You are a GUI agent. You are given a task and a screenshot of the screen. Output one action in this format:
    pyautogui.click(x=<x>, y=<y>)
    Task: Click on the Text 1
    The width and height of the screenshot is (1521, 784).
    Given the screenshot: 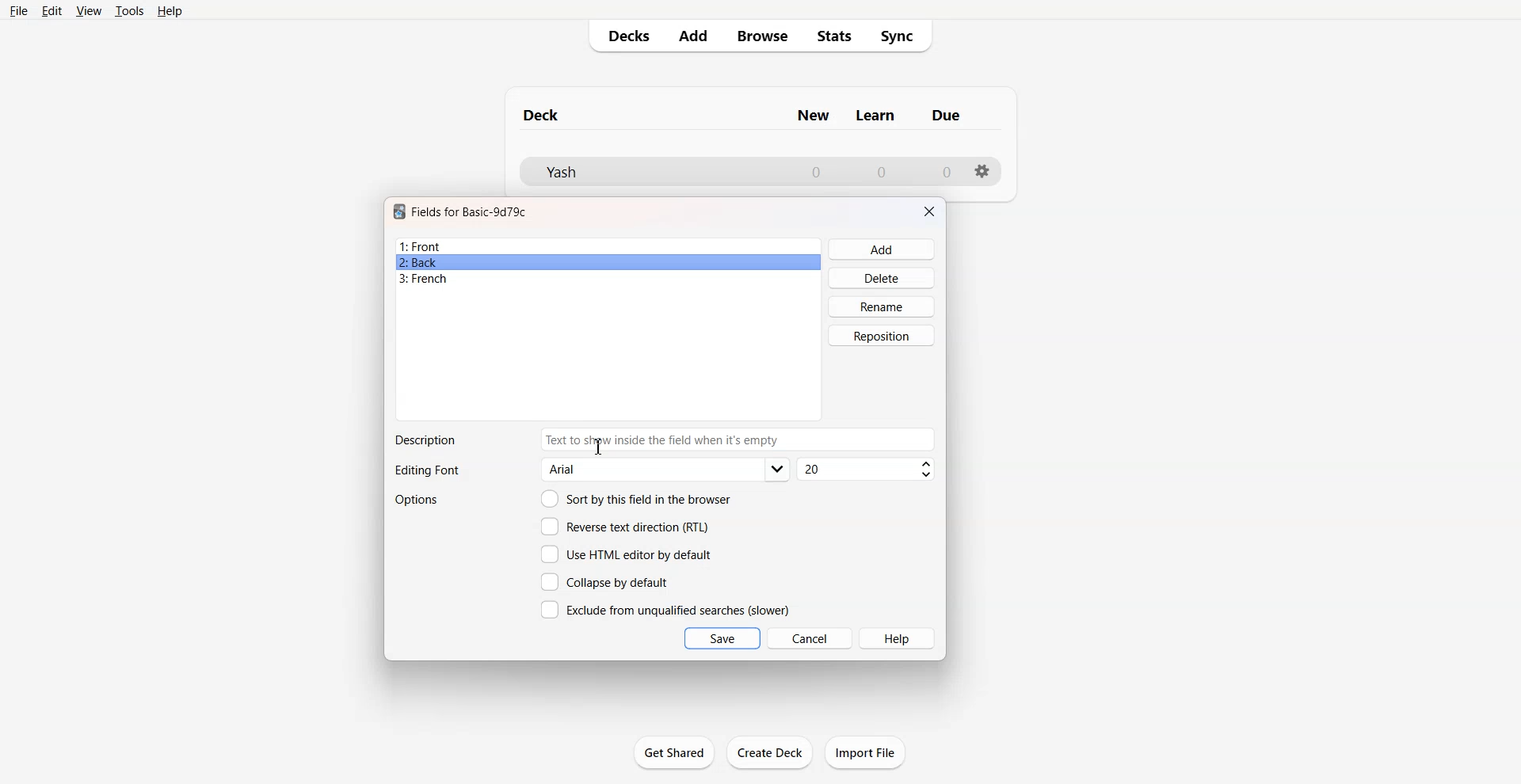 What is the action you would take?
    pyautogui.click(x=470, y=211)
    